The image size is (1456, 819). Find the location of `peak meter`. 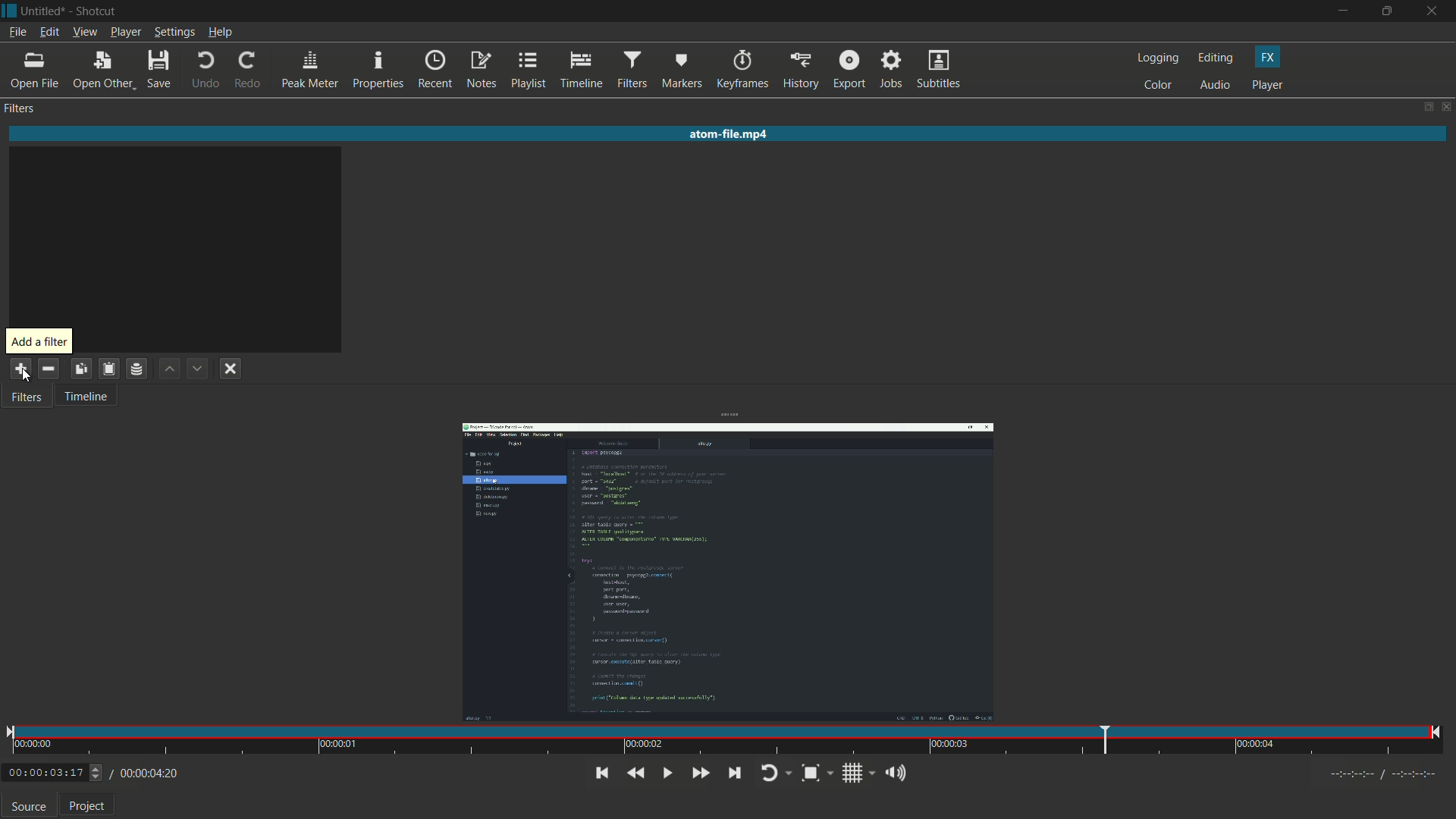

peak meter is located at coordinates (310, 70).